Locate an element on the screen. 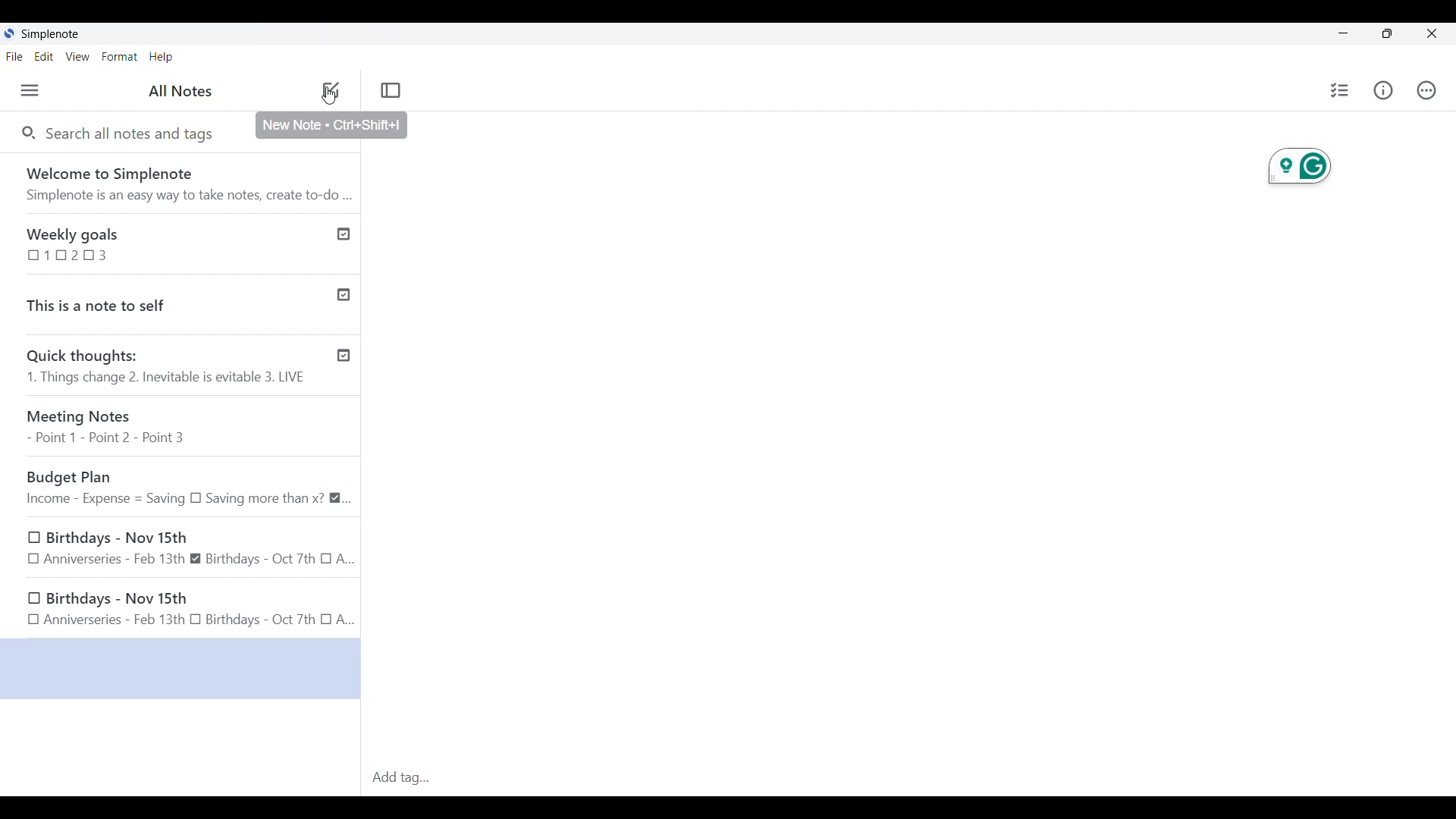  Help menu is located at coordinates (162, 57).